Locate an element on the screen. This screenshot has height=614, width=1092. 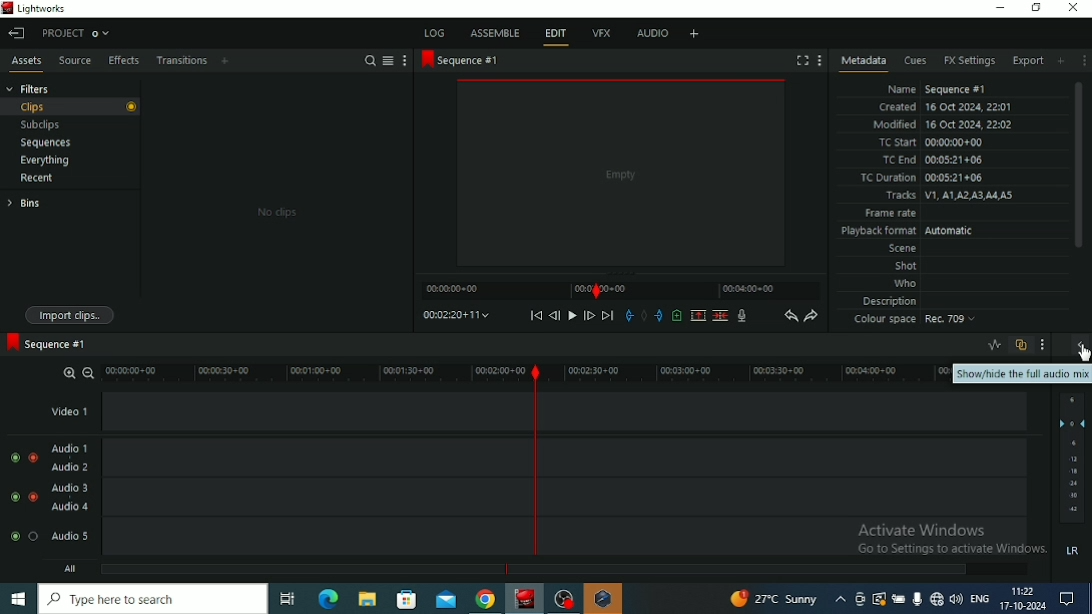
Show settings menu is located at coordinates (403, 61).